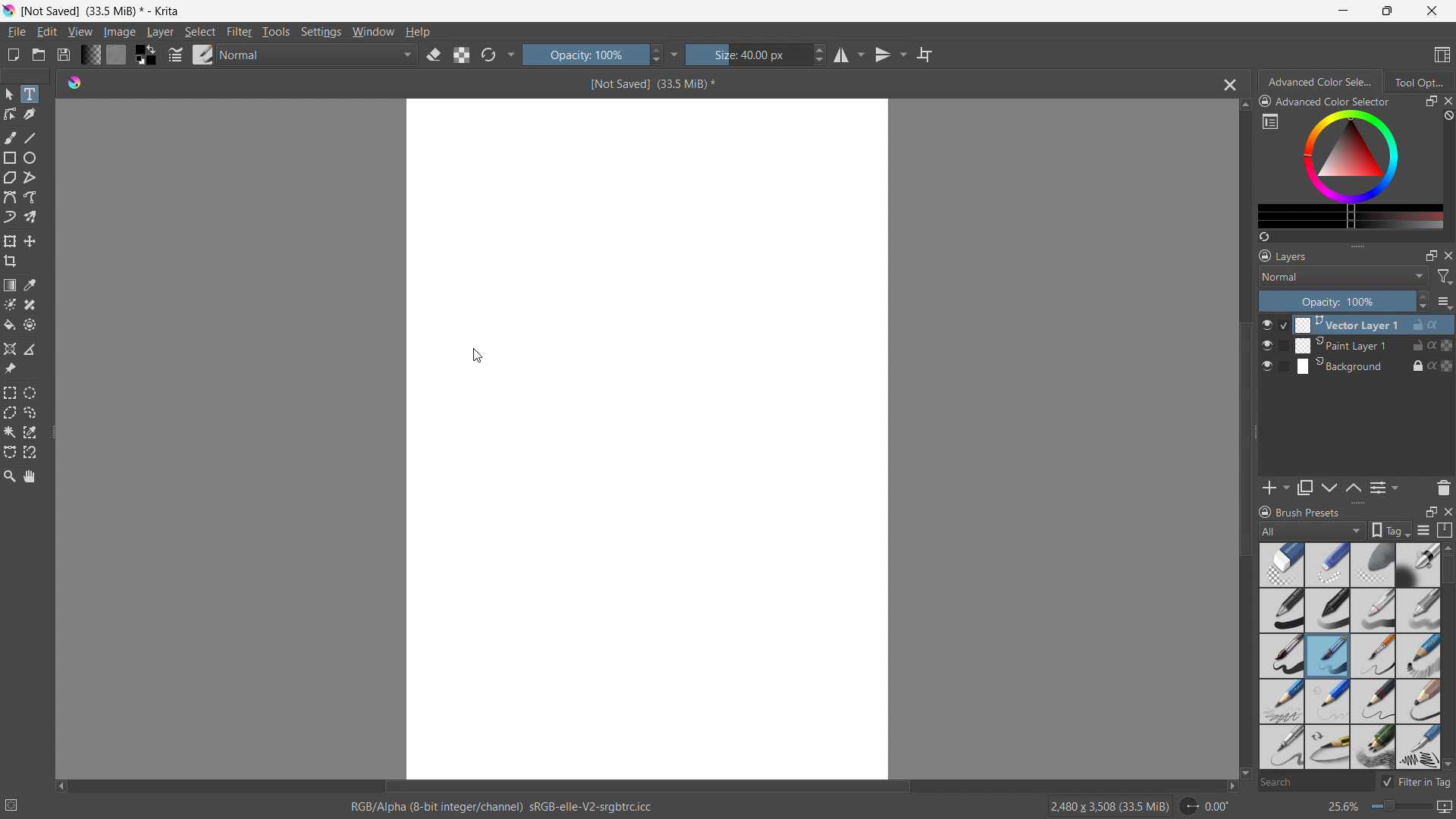  I want to click on save, so click(63, 55).